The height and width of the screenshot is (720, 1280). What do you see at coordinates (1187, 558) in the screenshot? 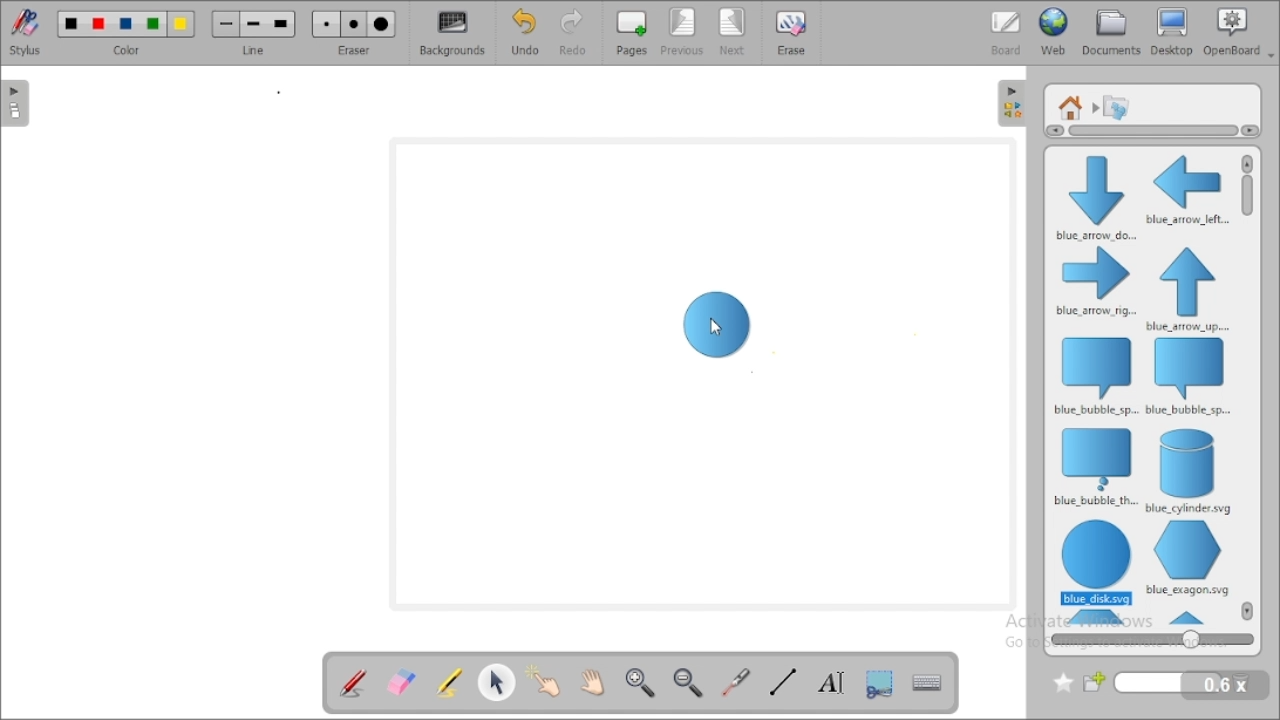
I see `blue exagon` at bounding box center [1187, 558].